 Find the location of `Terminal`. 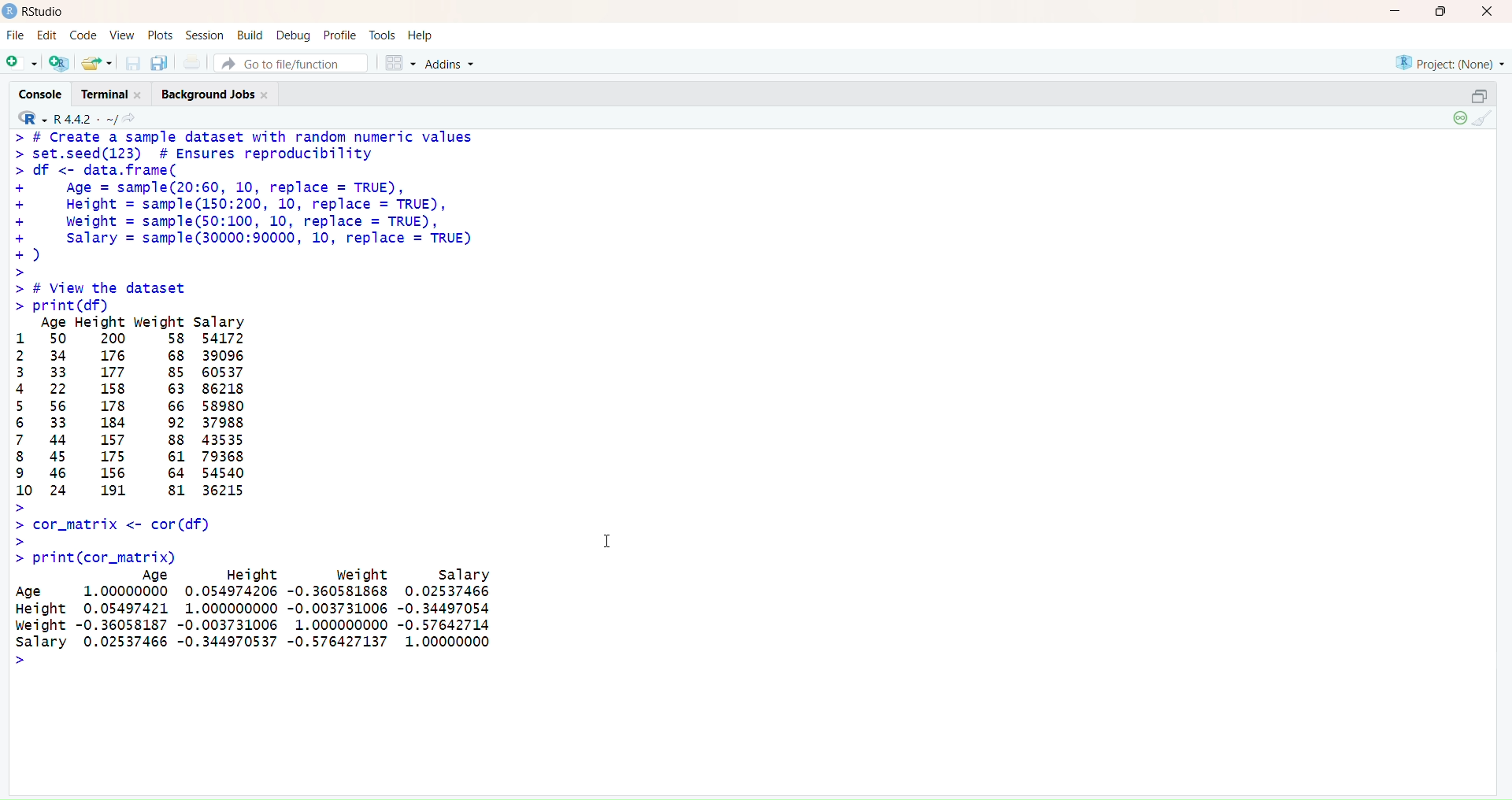

Terminal is located at coordinates (117, 94).